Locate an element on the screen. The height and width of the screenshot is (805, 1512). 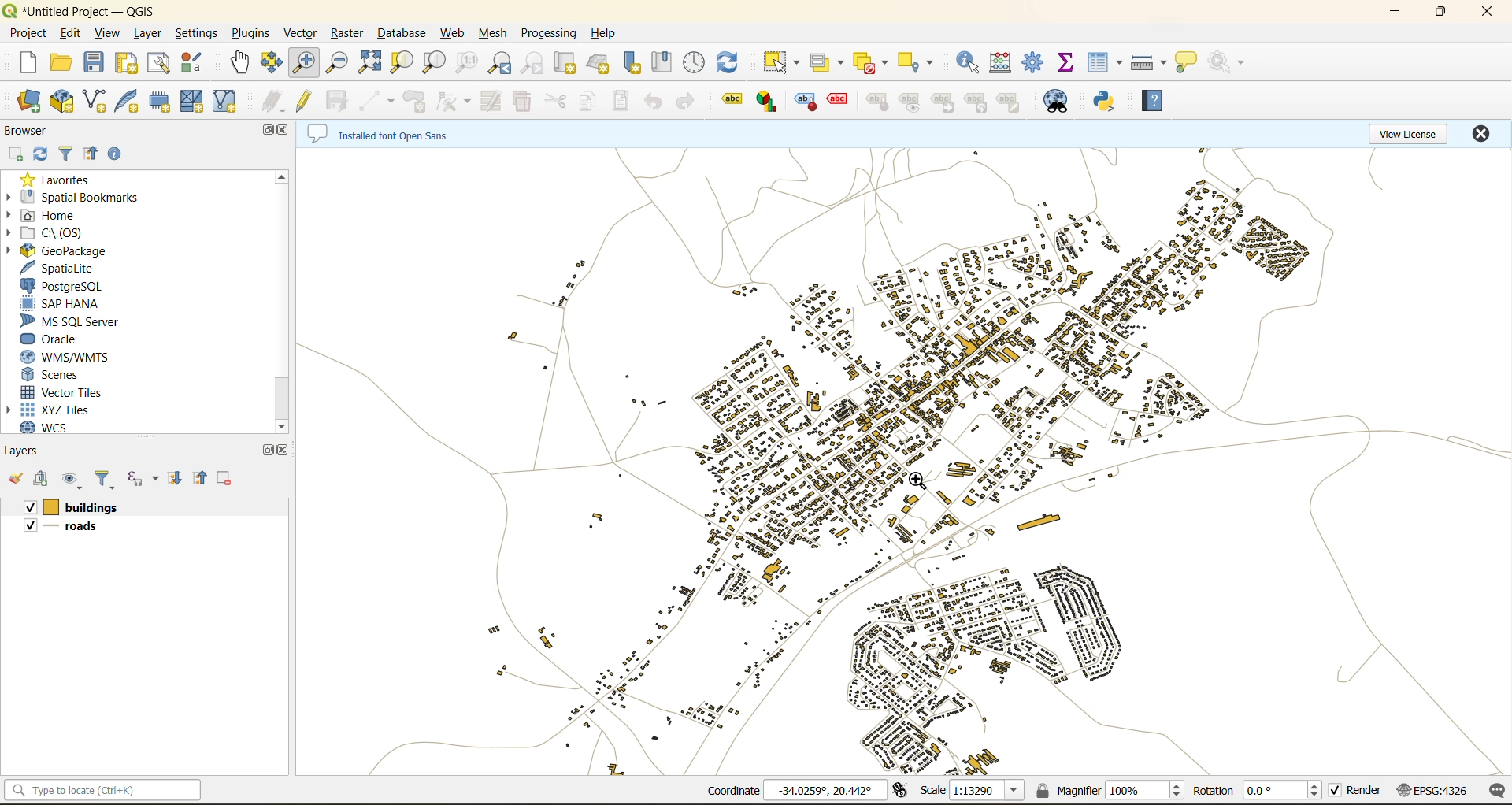
open data source manager is located at coordinates (29, 102).